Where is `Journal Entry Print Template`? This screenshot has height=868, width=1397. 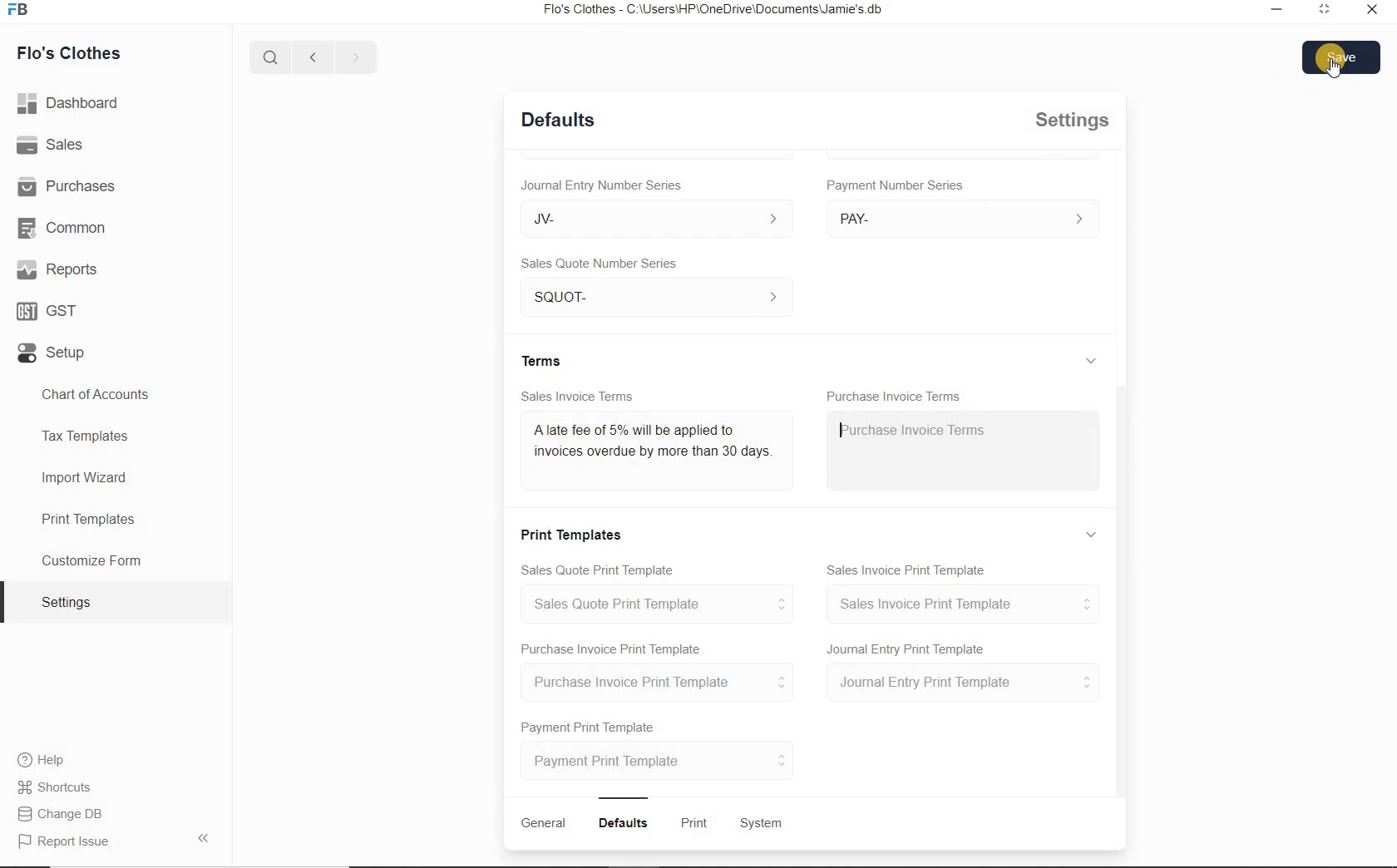
Journal Entry Print Template is located at coordinates (963, 683).